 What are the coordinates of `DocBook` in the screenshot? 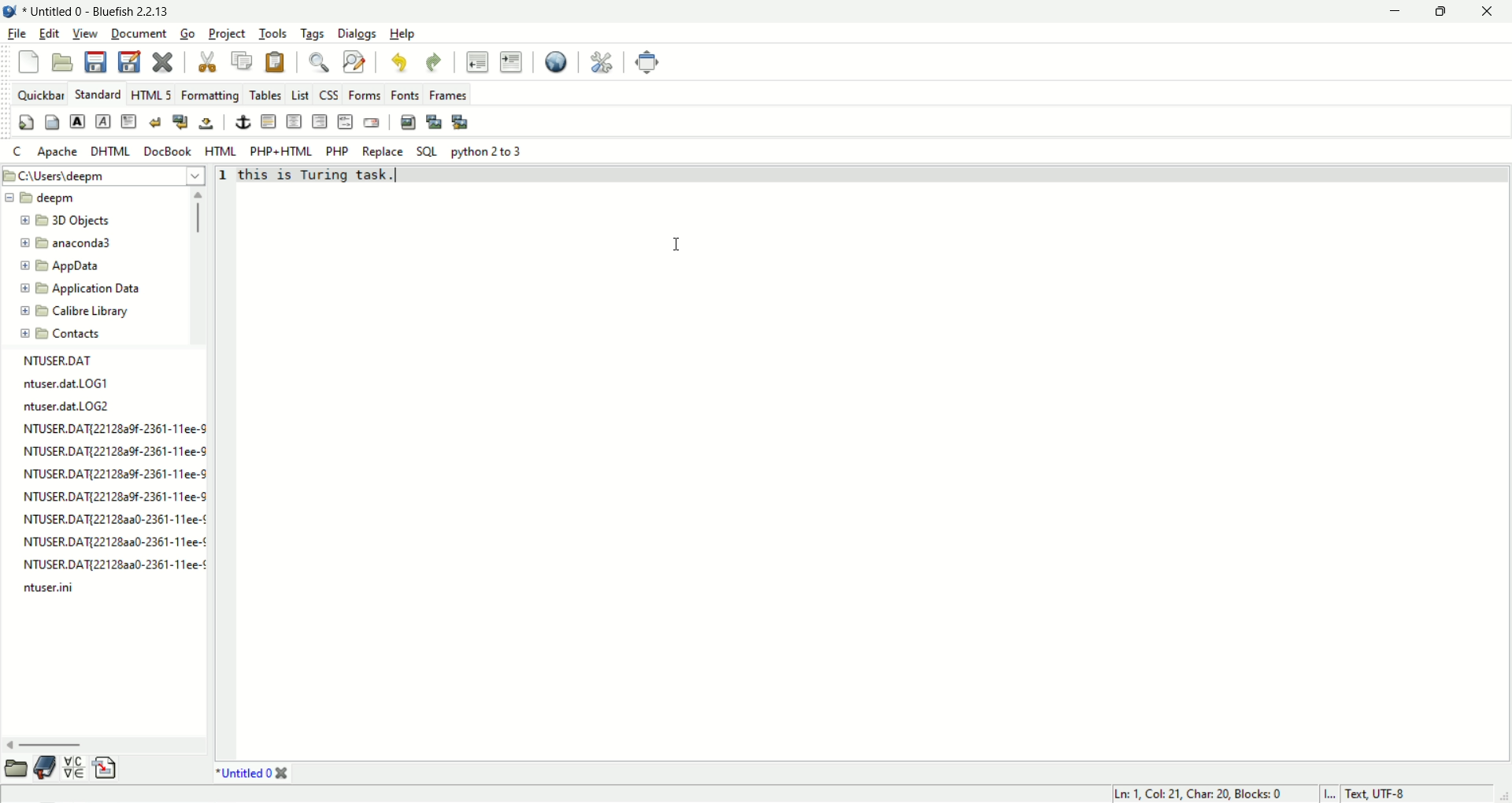 It's located at (167, 151).